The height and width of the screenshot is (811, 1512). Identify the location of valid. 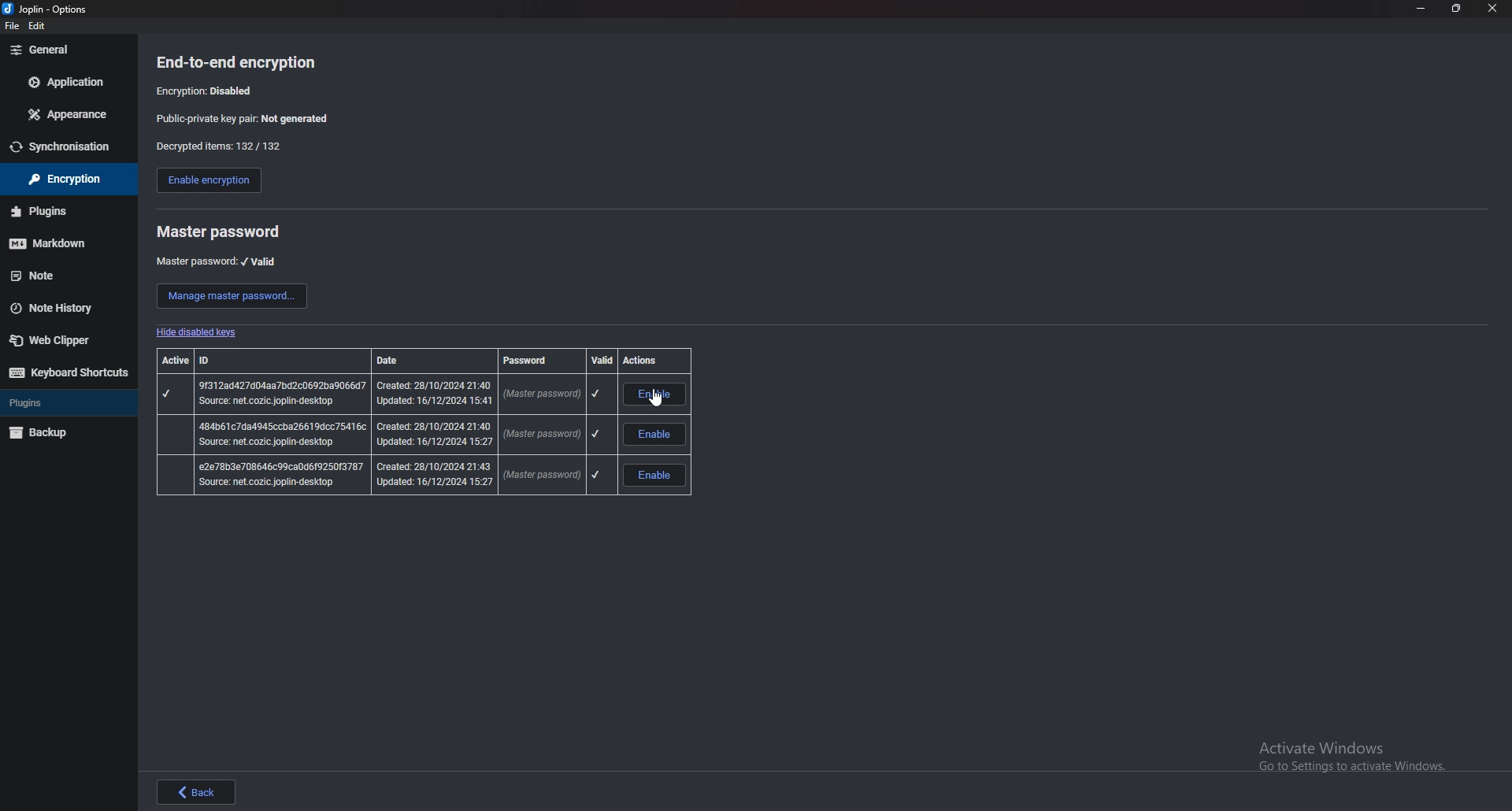
(602, 360).